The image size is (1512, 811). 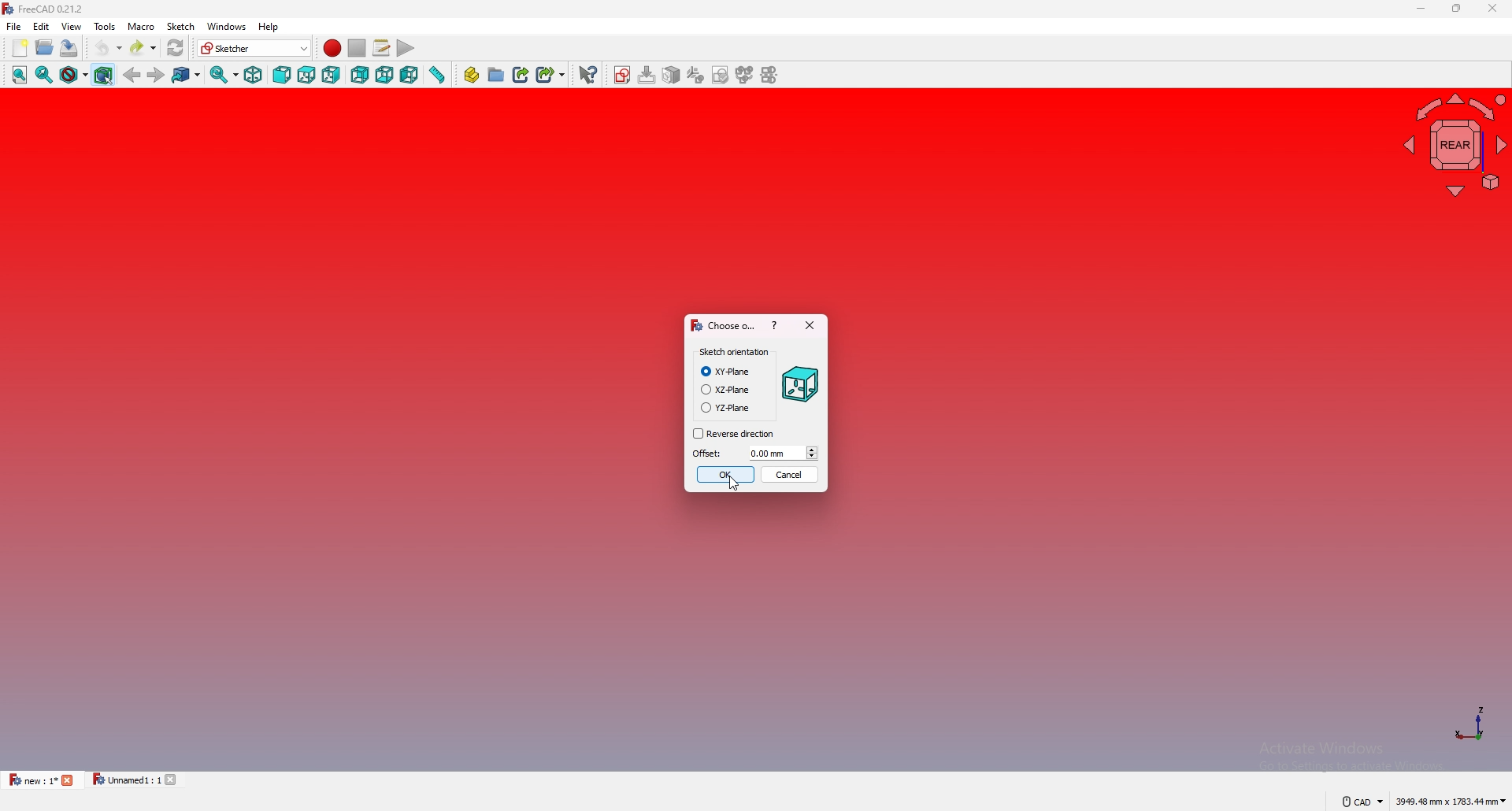 I want to click on measure distance, so click(x=437, y=74).